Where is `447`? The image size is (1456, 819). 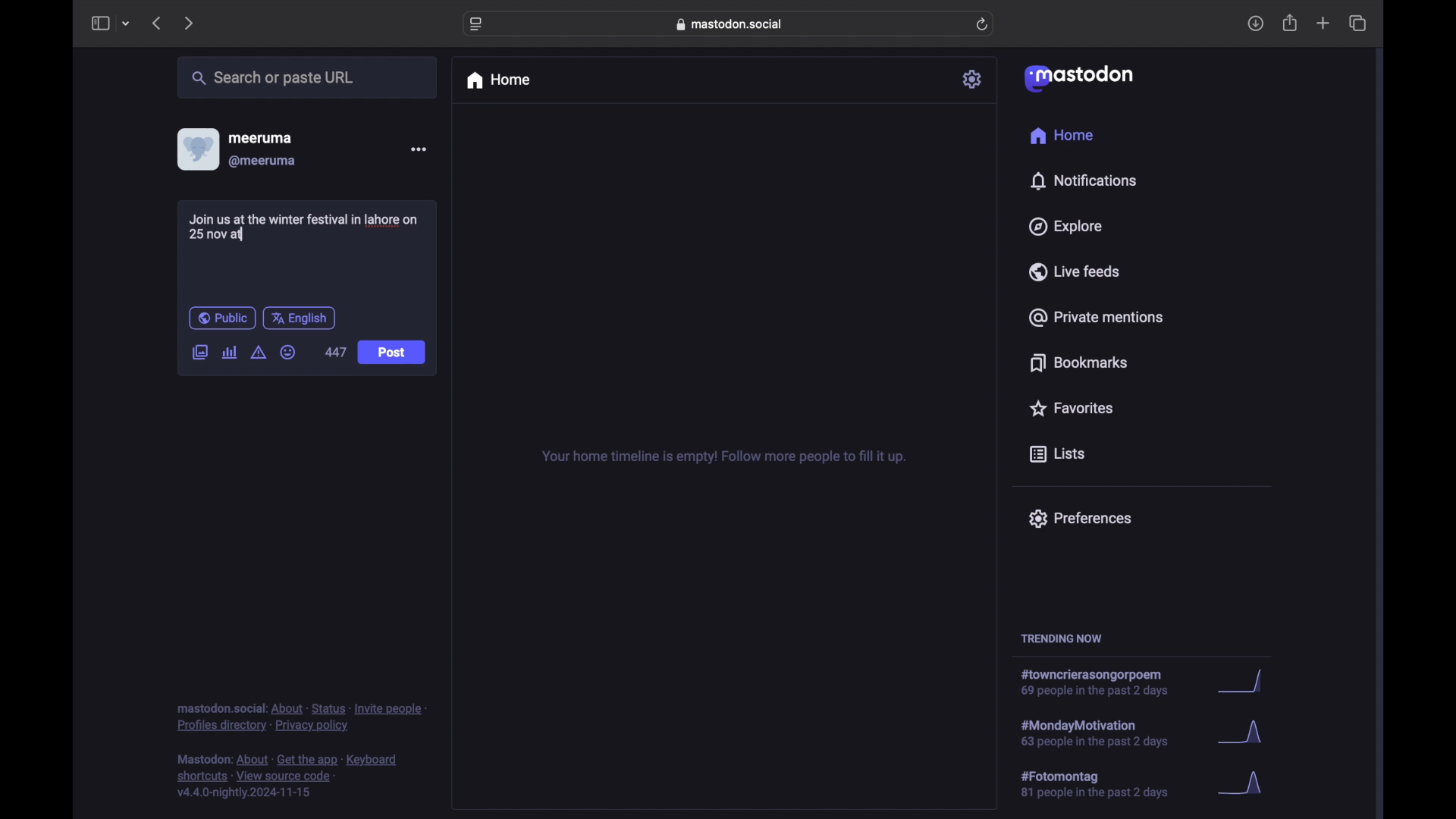 447 is located at coordinates (336, 353).